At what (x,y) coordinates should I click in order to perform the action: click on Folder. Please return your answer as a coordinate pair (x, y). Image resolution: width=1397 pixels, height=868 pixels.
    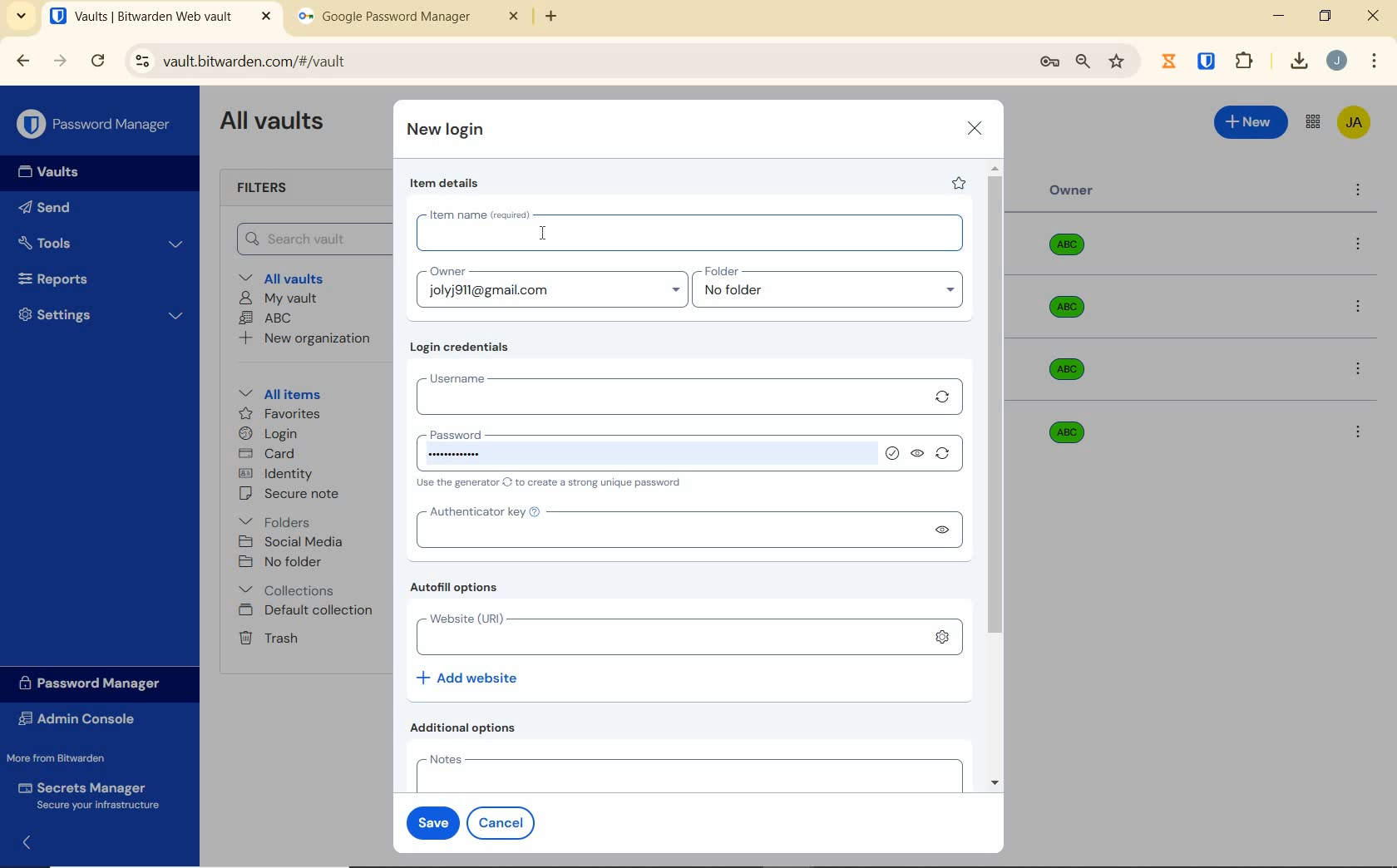
    Looking at the image, I should click on (829, 289).